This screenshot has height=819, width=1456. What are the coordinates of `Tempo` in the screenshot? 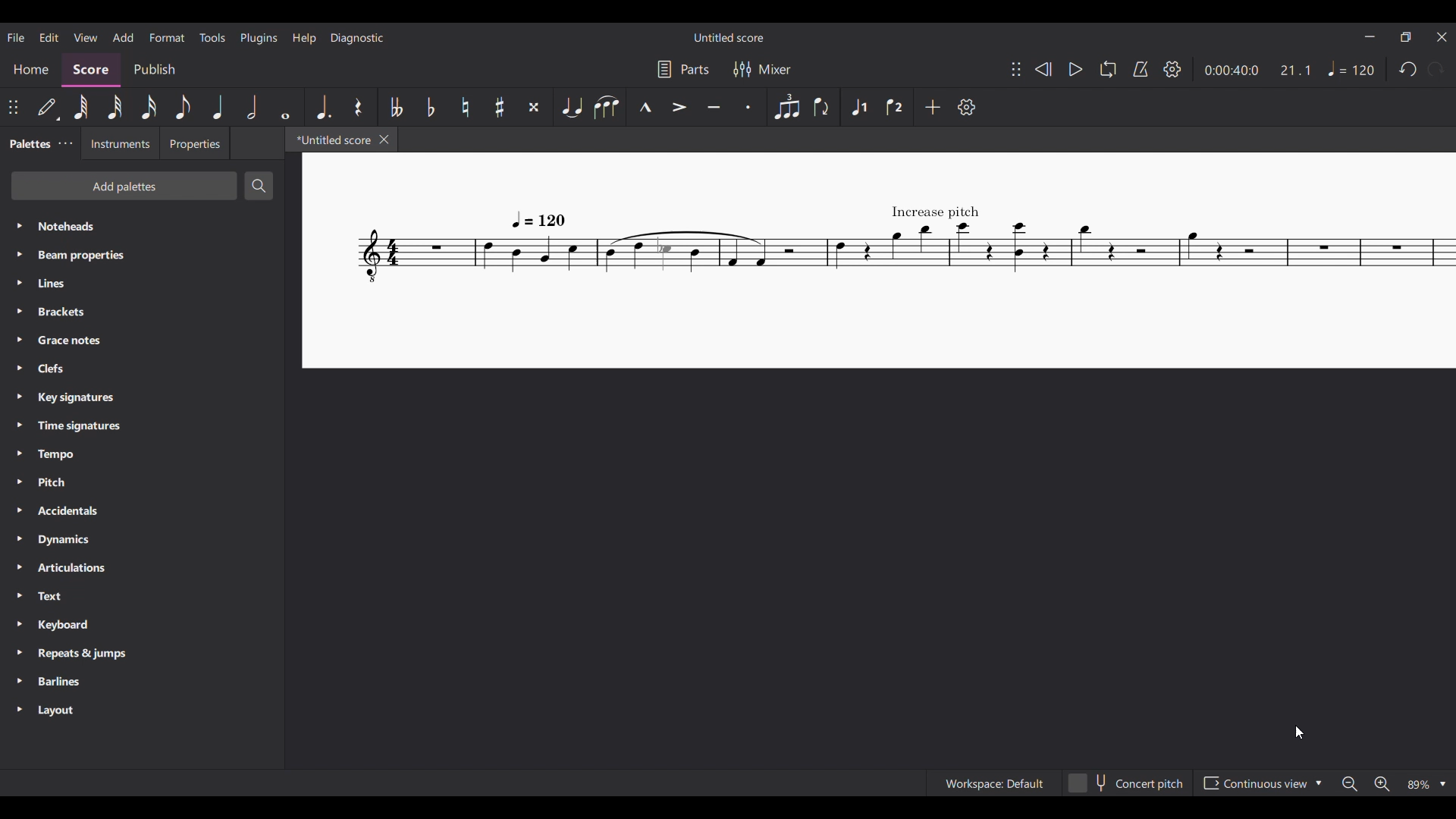 It's located at (142, 455).